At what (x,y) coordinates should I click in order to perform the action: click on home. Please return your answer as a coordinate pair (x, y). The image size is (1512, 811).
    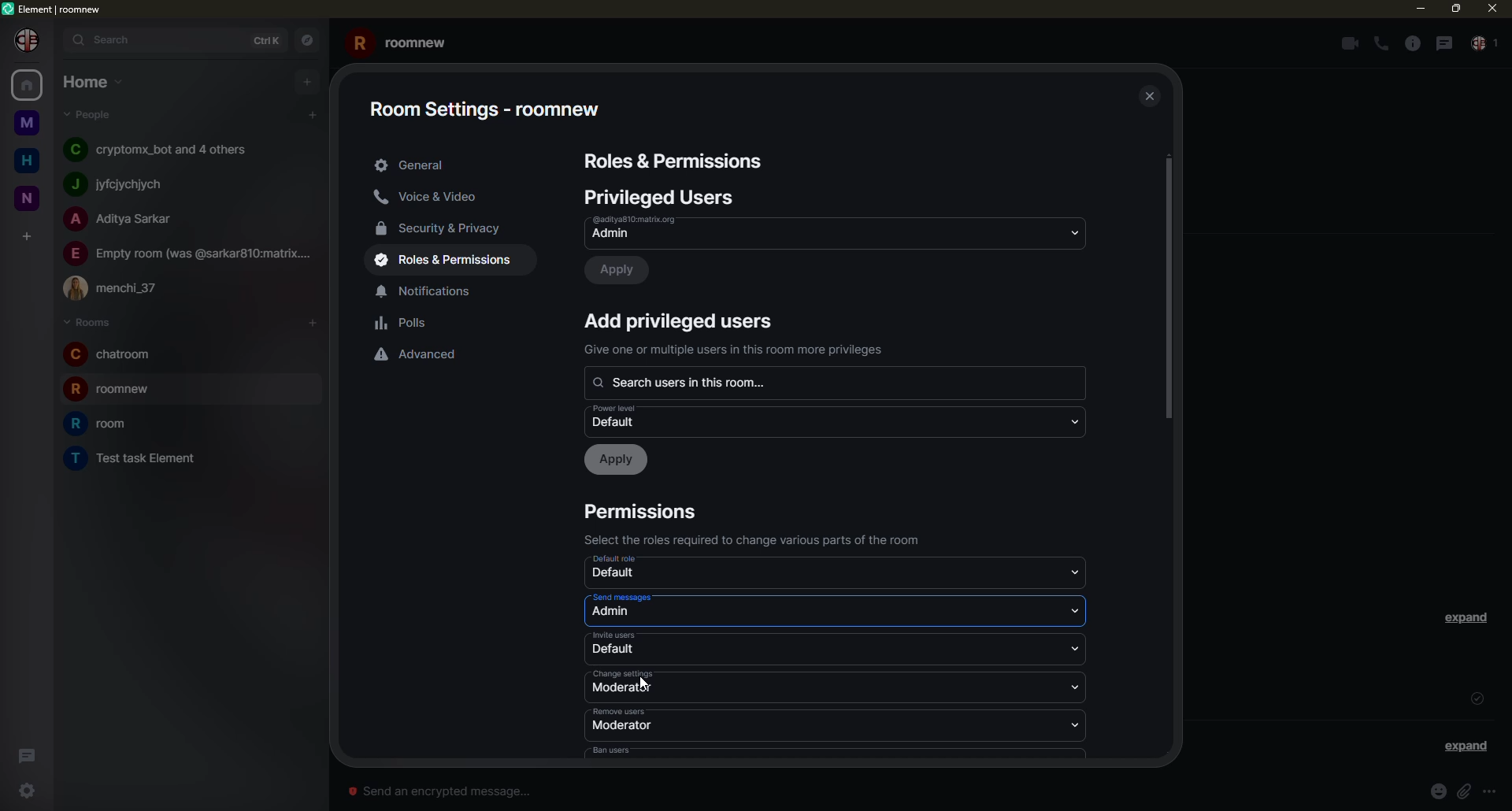
    Looking at the image, I should click on (25, 87).